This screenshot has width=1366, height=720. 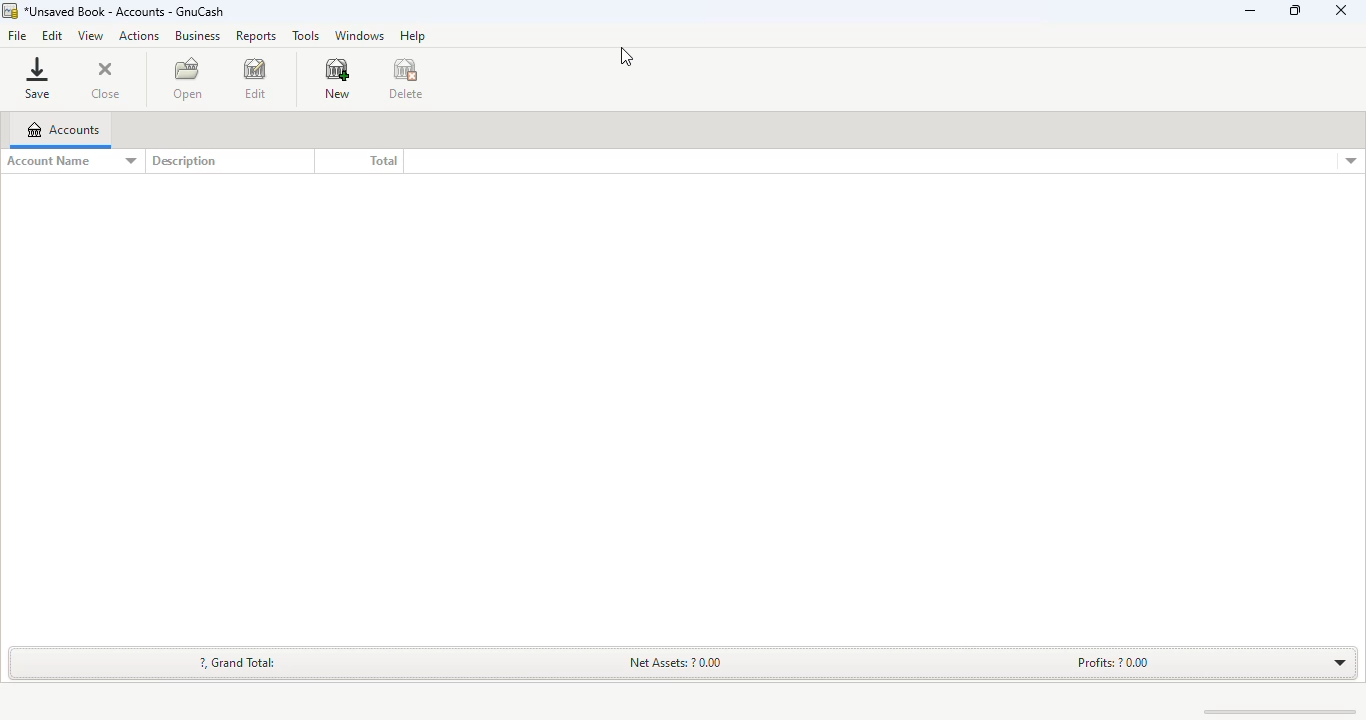 I want to click on total, so click(x=383, y=161).